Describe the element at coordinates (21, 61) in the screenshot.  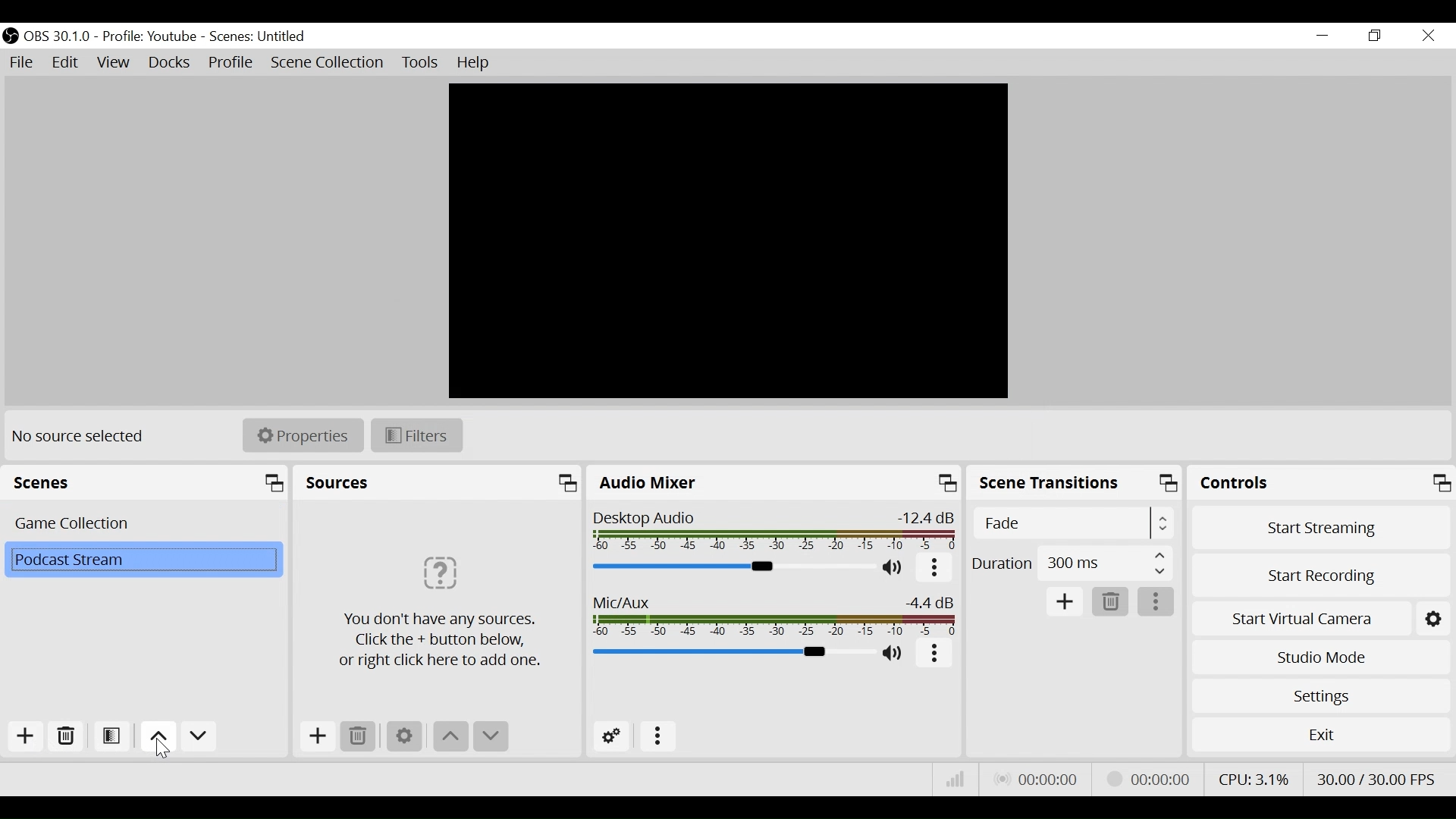
I see `File` at that location.